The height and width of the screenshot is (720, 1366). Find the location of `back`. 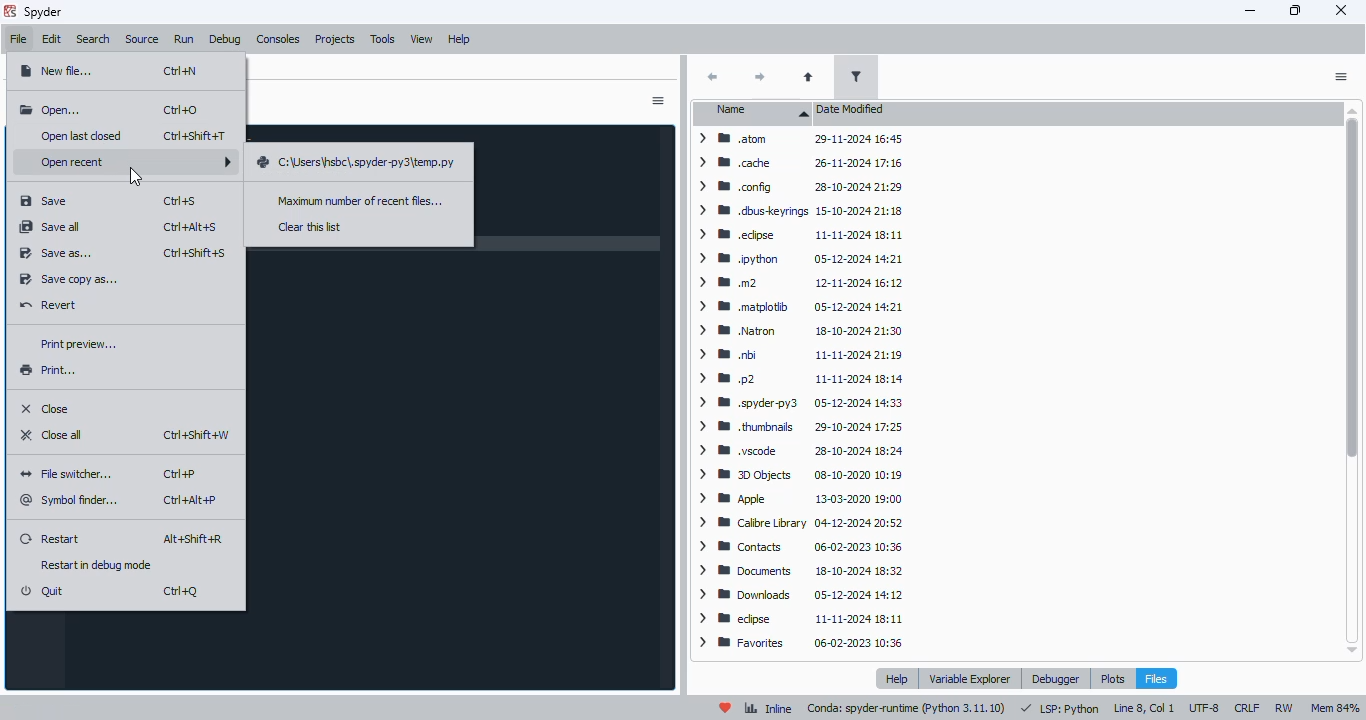

back is located at coordinates (712, 77).